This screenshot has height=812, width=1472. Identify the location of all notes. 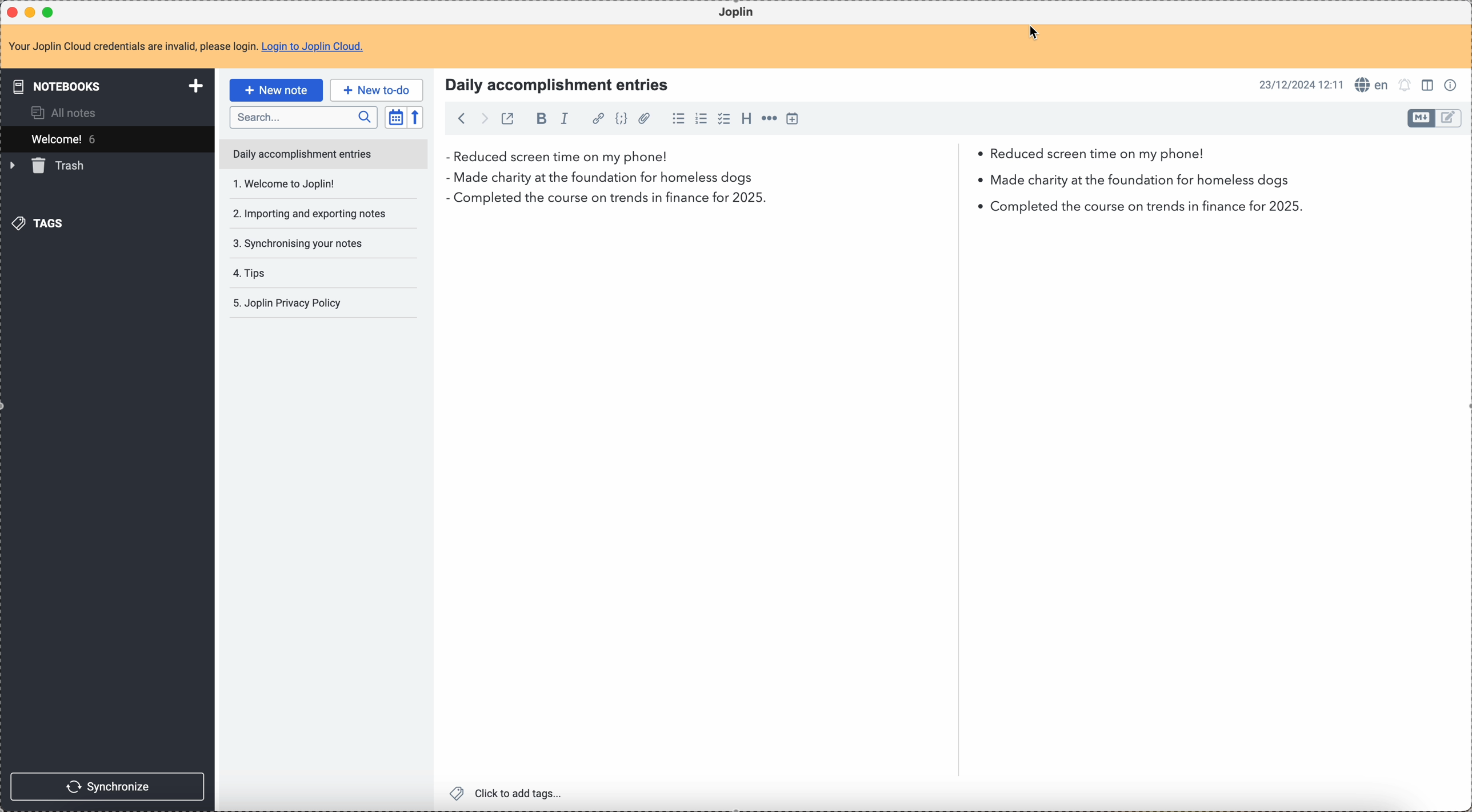
(59, 113).